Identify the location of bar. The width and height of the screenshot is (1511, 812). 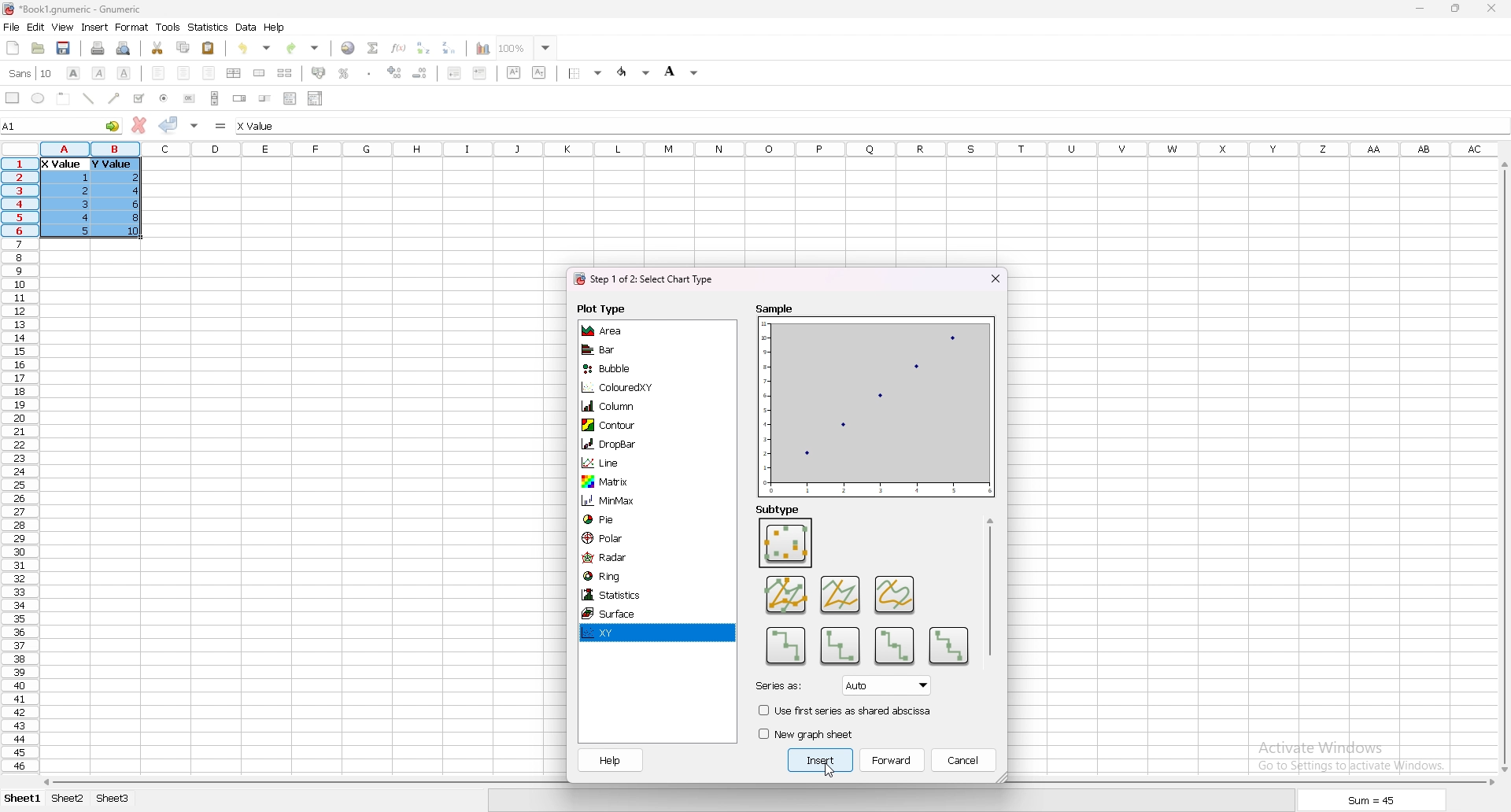
(625, 350).